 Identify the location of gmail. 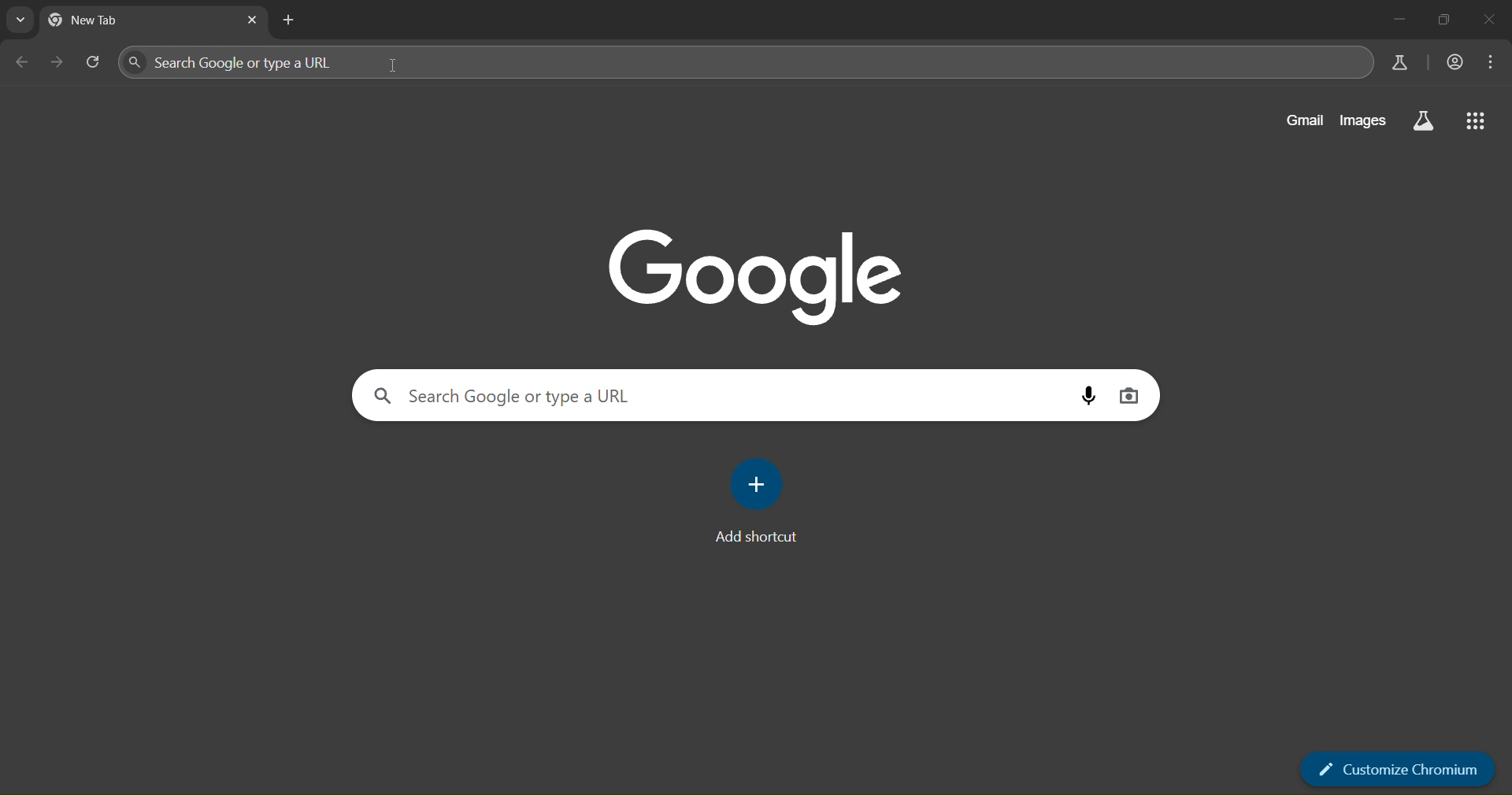
(1306, 119).